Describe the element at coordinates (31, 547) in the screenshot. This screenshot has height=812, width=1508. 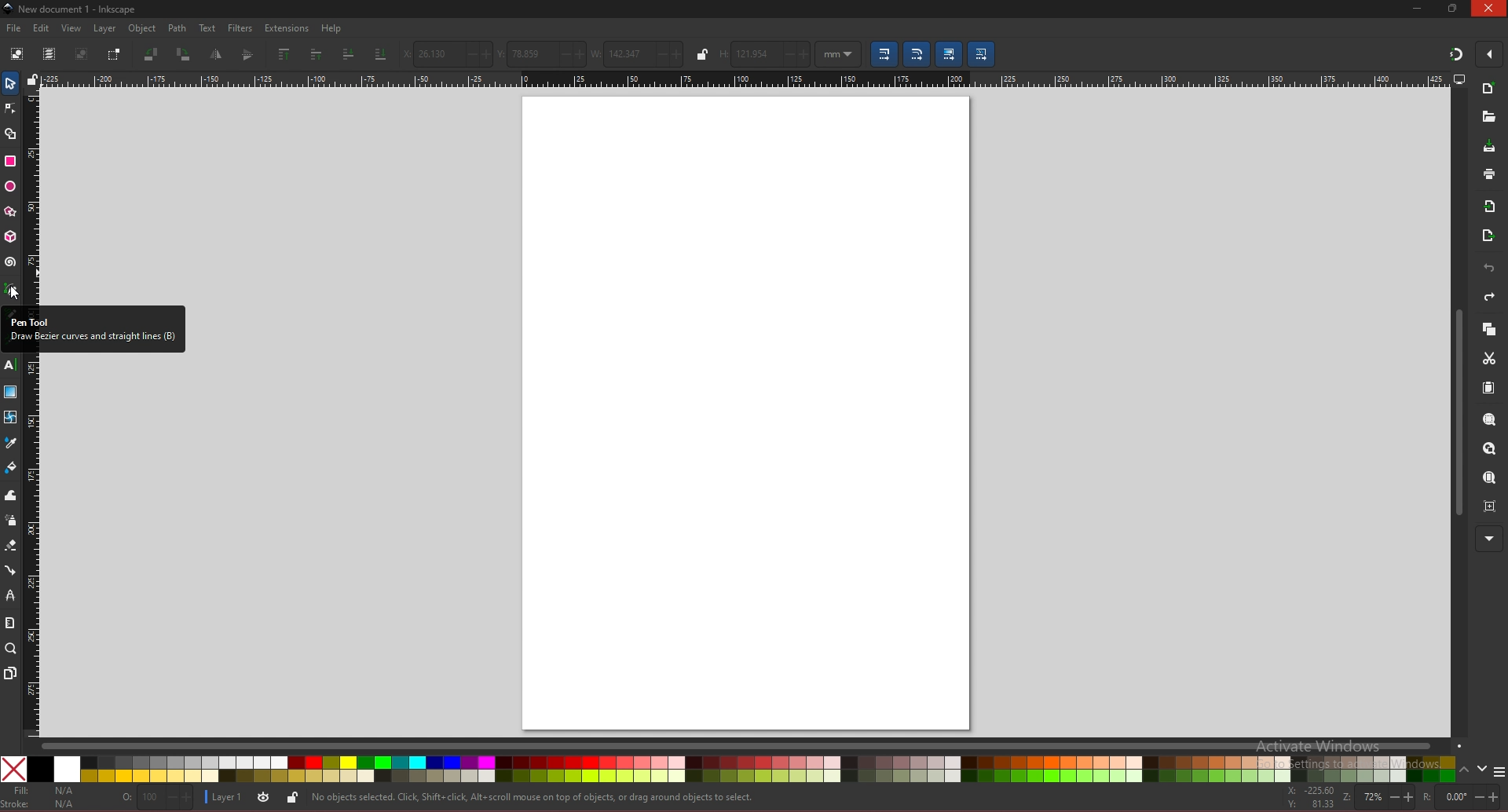
I see `vertical rule` at that location.